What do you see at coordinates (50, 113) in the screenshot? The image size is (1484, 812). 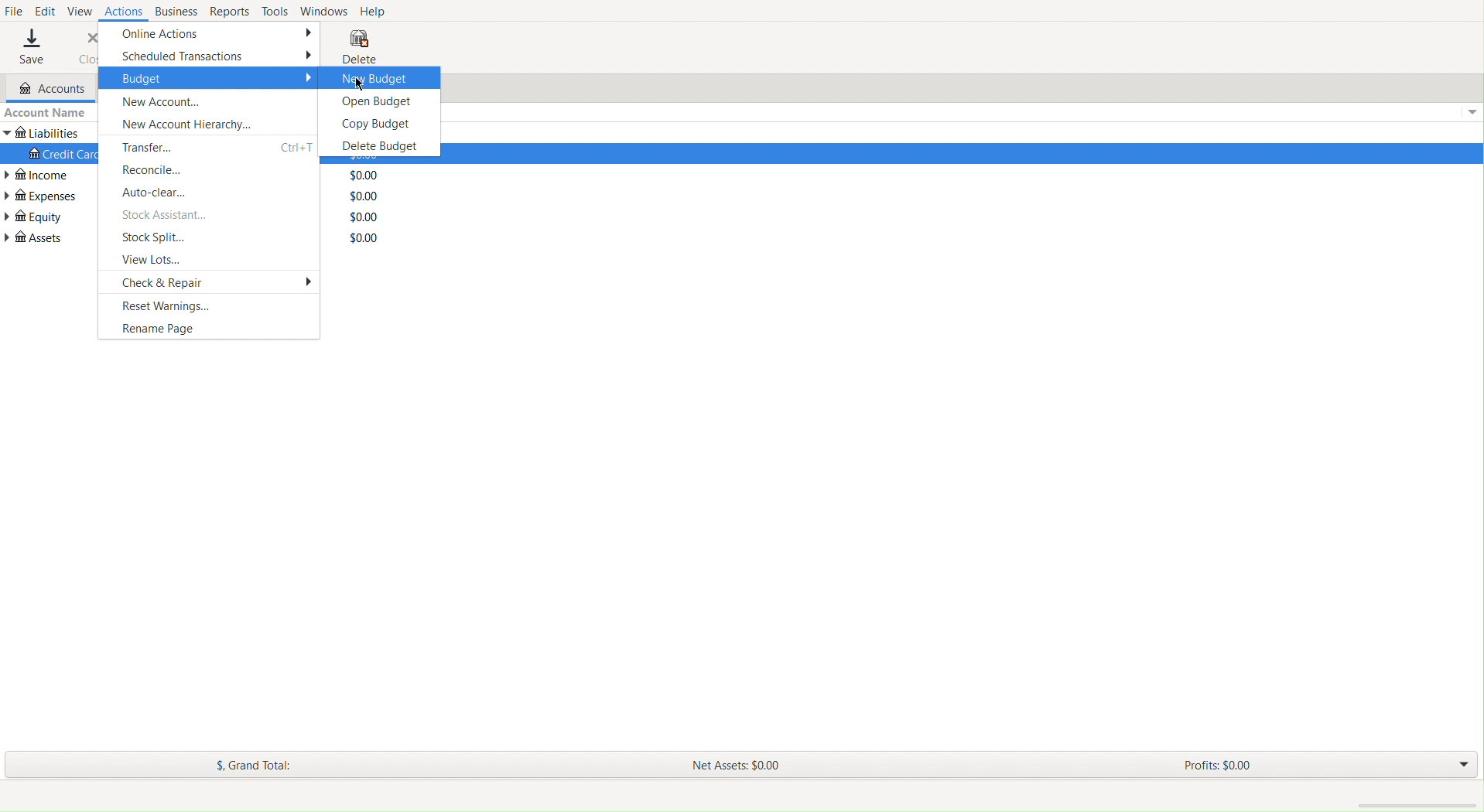 I see `Account Name` at bounding box center [50, 113].